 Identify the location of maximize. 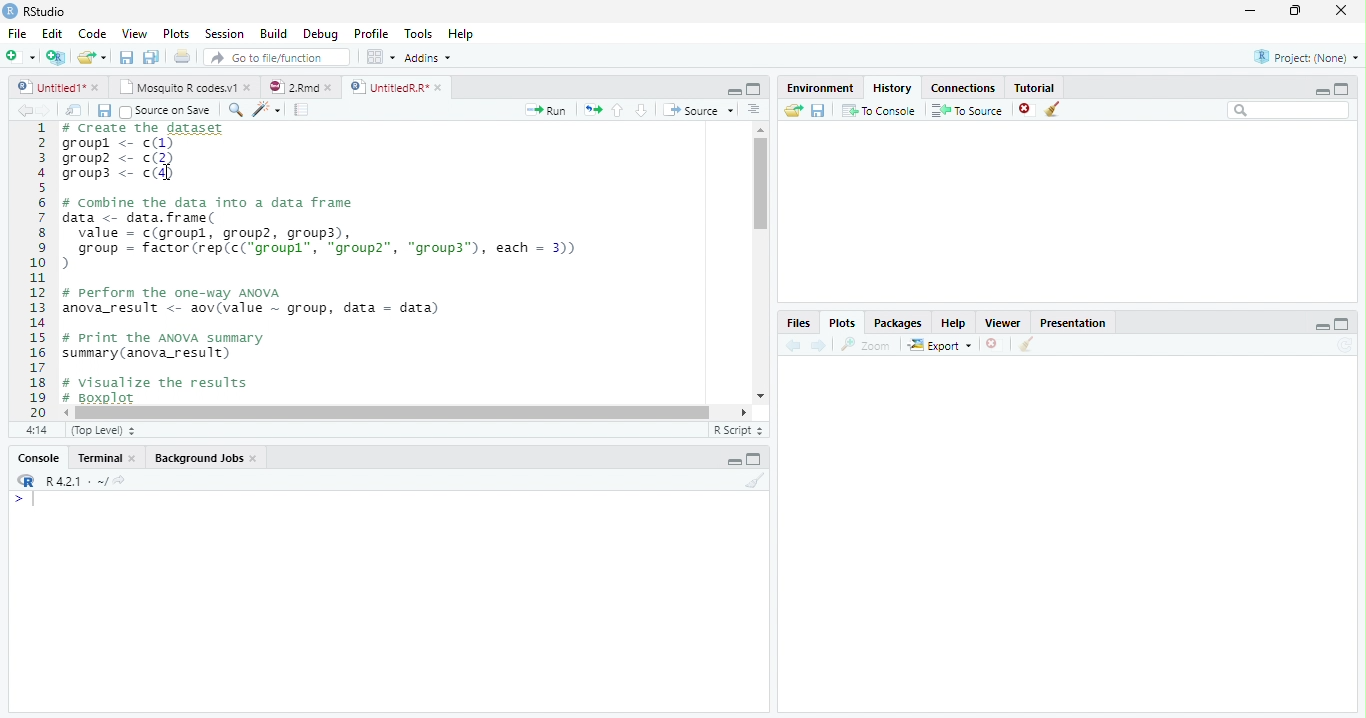
(1345, 88).